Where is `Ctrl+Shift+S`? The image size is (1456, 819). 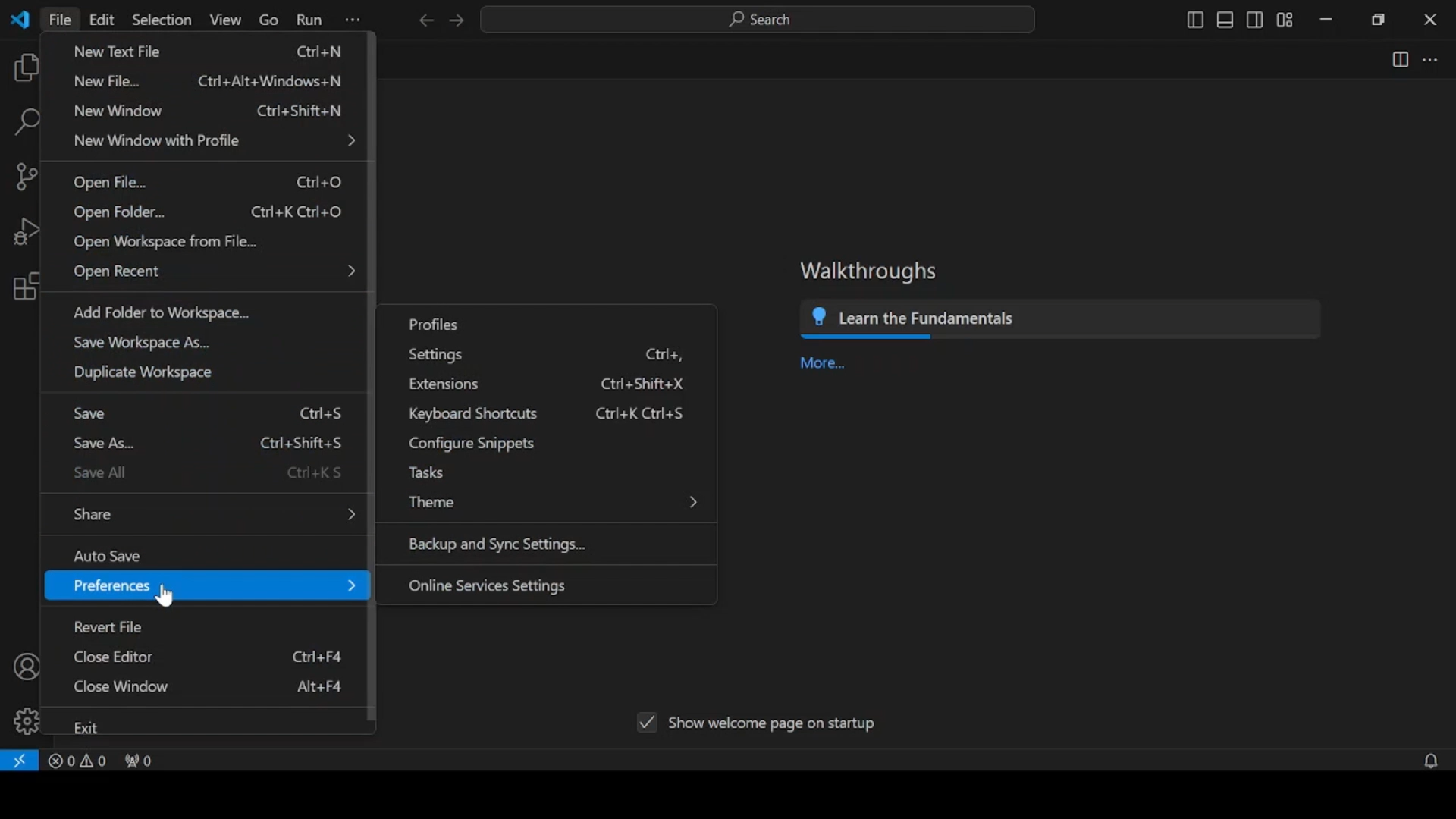 Ctrl+Shift+S is located at coordinates (301, 443).